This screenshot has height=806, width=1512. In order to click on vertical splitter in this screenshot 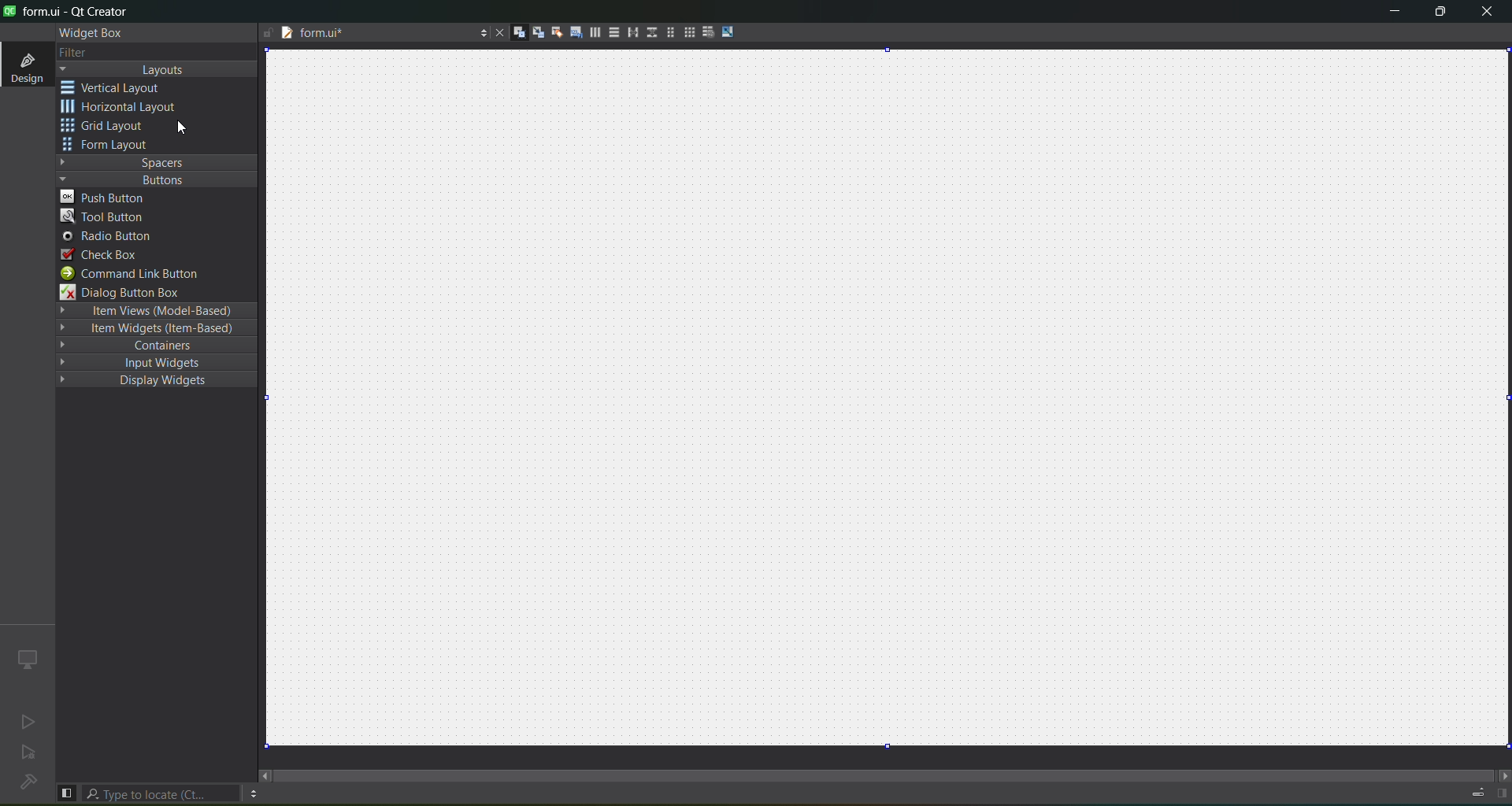, I will do `click(650, 31)`.